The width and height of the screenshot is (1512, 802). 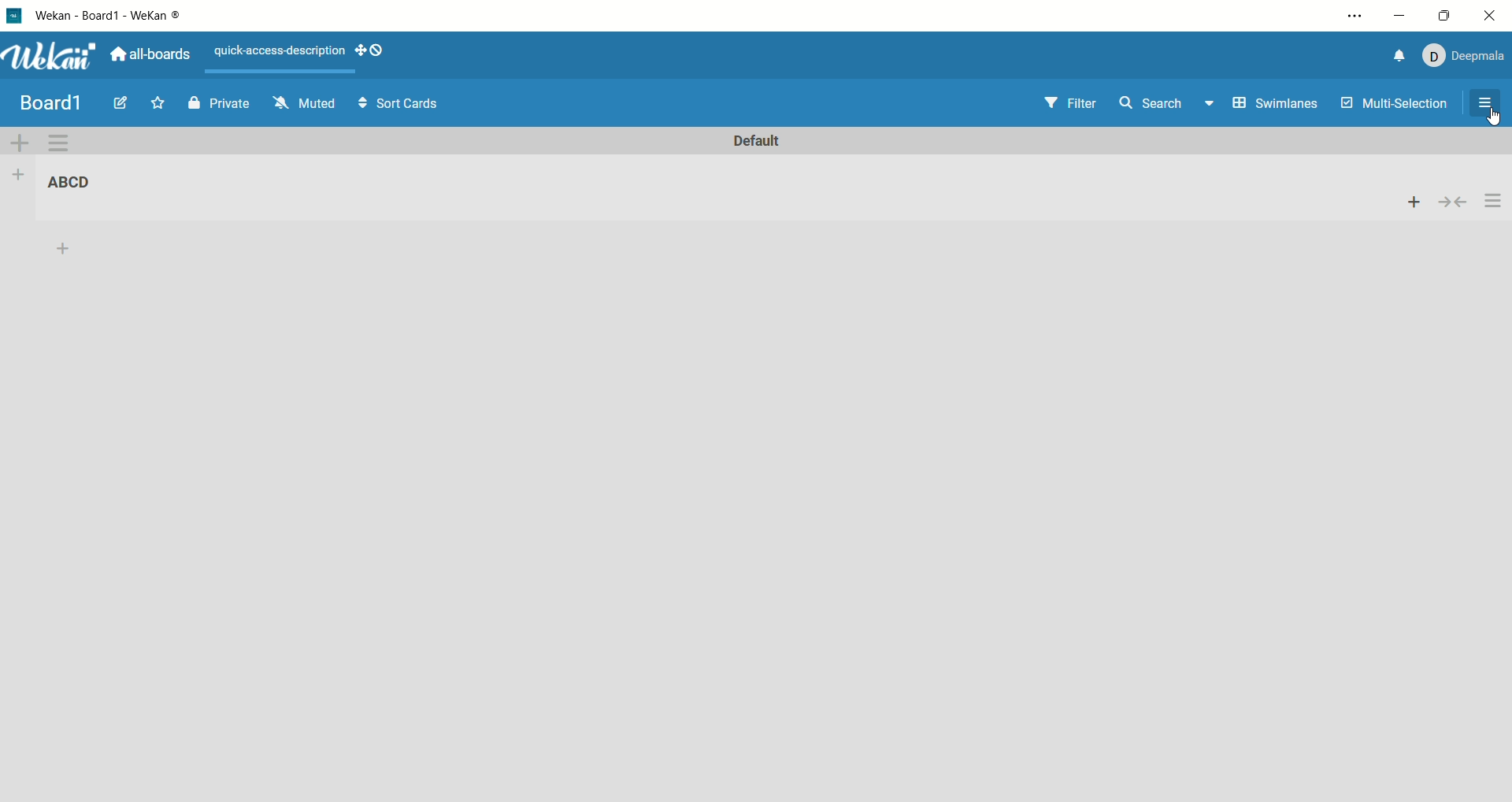 I want to click on swimlanes, so click(x=1277, y=105).